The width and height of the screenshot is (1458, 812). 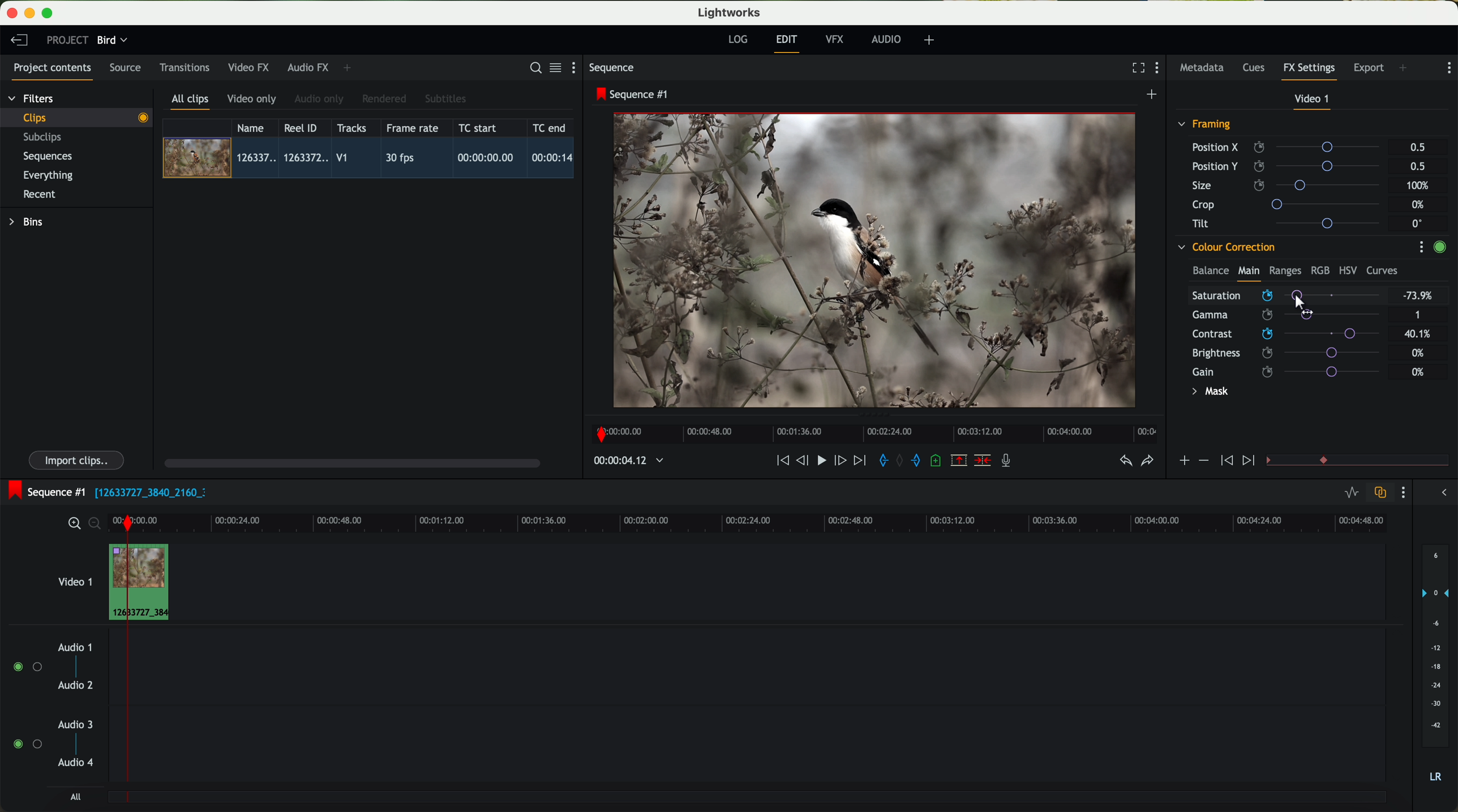 I want to click on clear marks, so click(x=900, y=461).